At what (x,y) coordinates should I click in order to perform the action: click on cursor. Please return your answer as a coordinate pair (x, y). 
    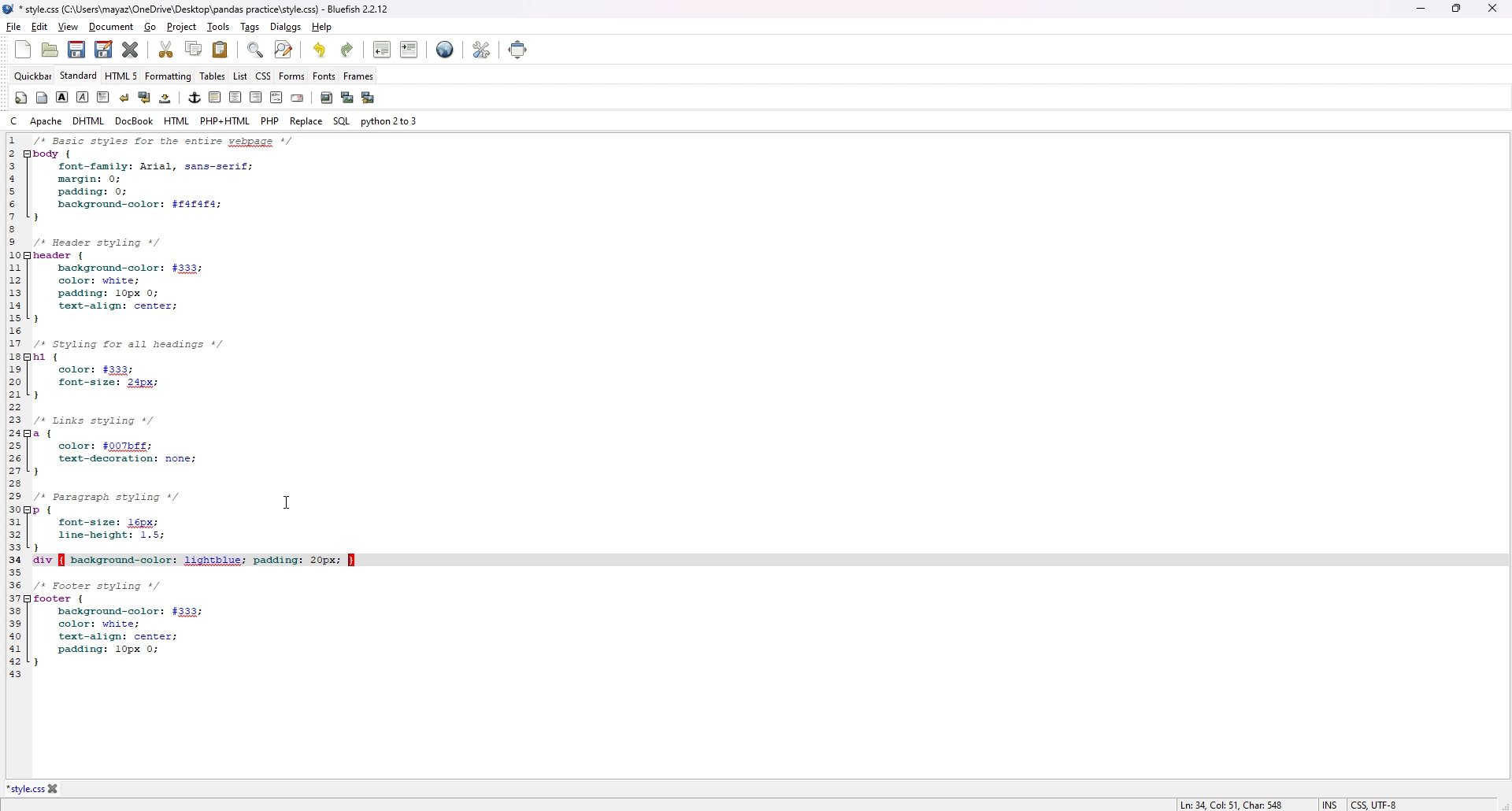
    Looking at the image, I should click on (287, 505).